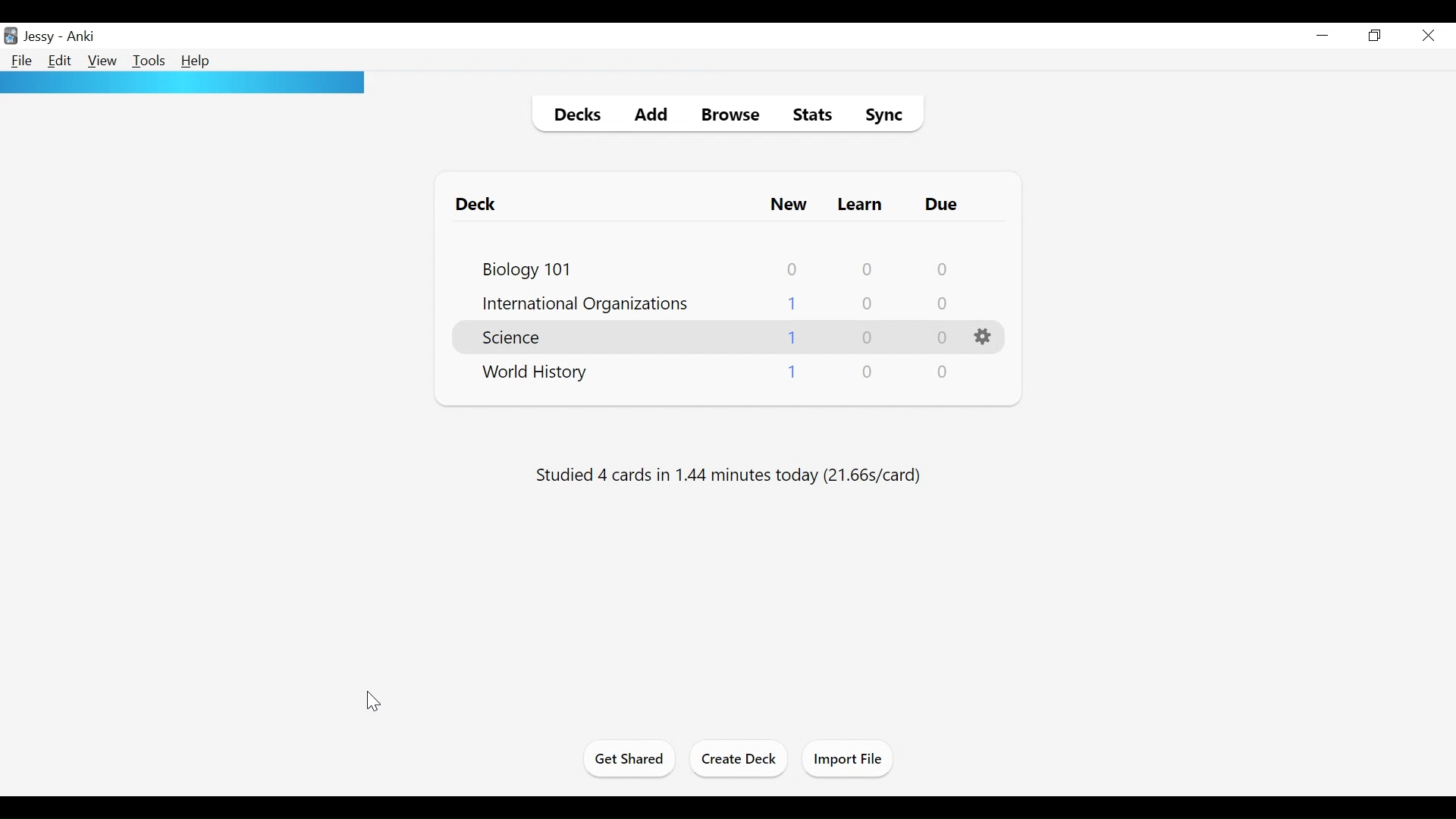 The image size is (1456, 819). Describe the element at coordinates (734, 114) in the screenshot. I see `Browse` at that location.